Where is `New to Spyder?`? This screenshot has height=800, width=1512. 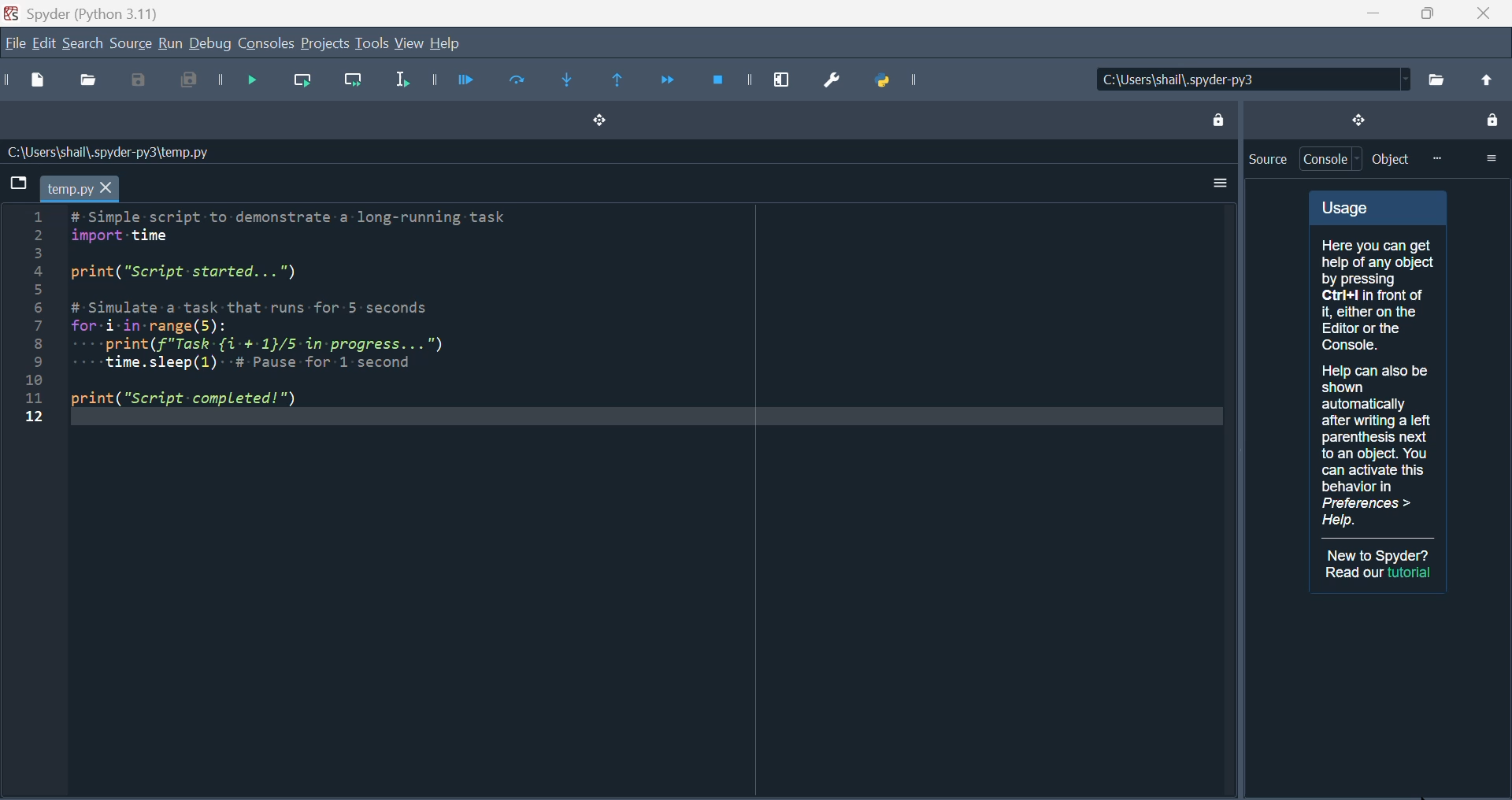
New to Spyder? is located at coordinates (1380, 555).